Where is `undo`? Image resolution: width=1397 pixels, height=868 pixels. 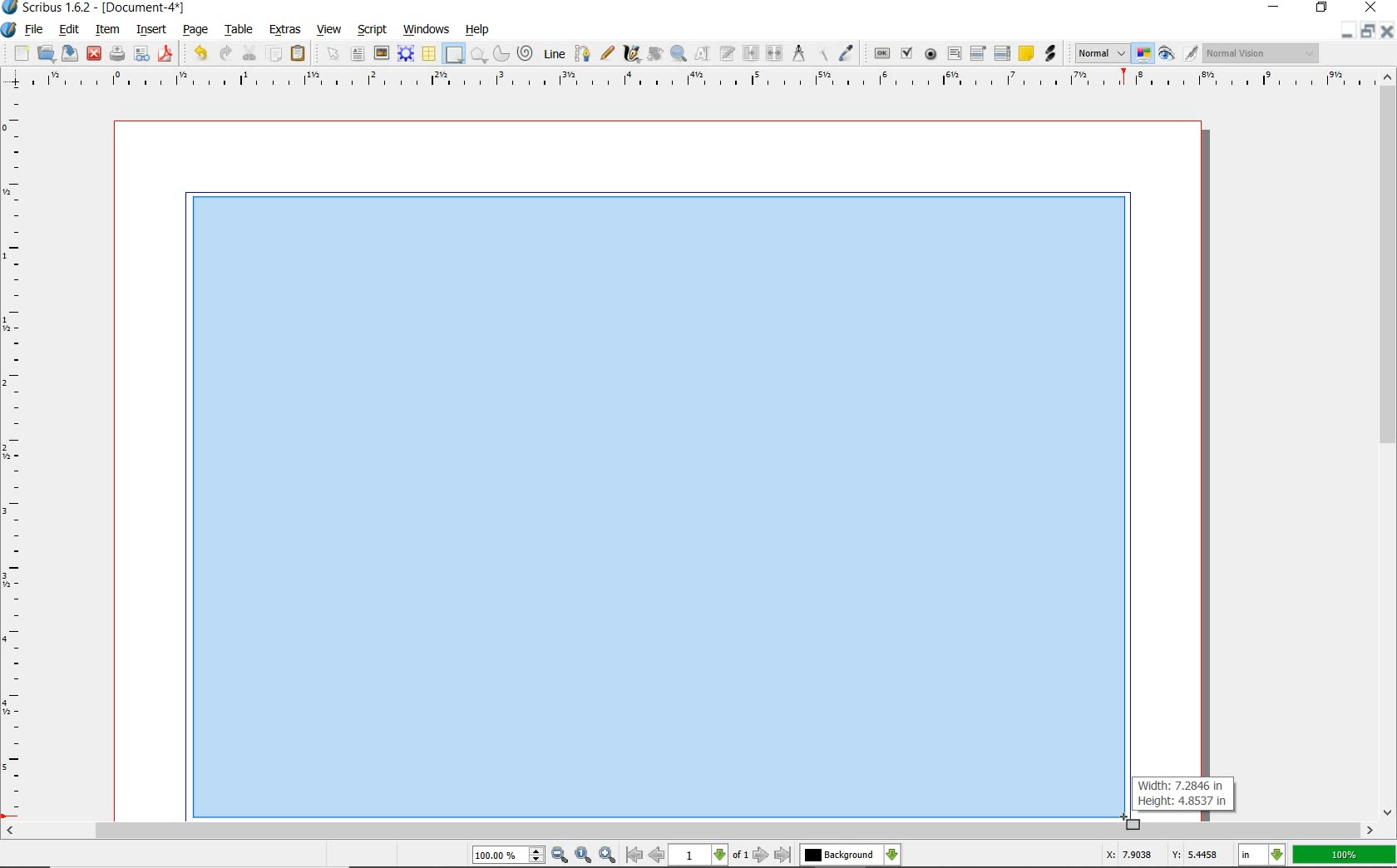 undo is located at coordinates (198, 53).